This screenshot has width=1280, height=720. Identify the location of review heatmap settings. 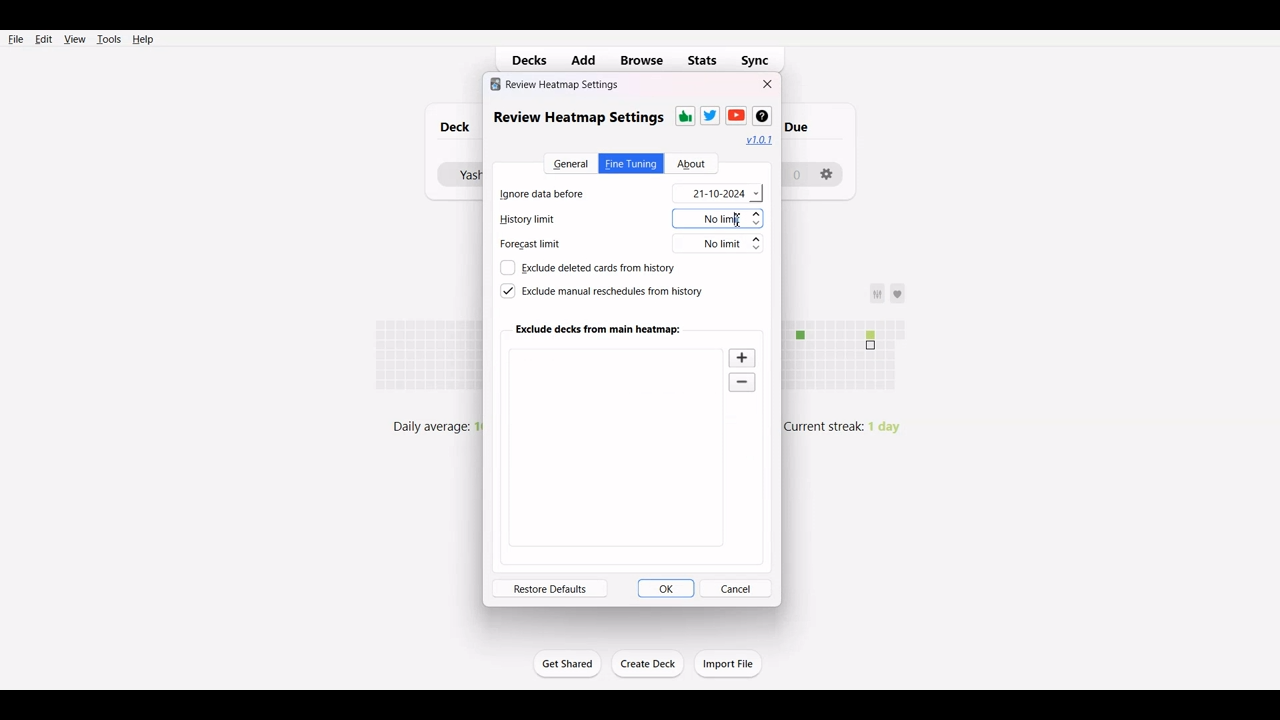
(577, 117).